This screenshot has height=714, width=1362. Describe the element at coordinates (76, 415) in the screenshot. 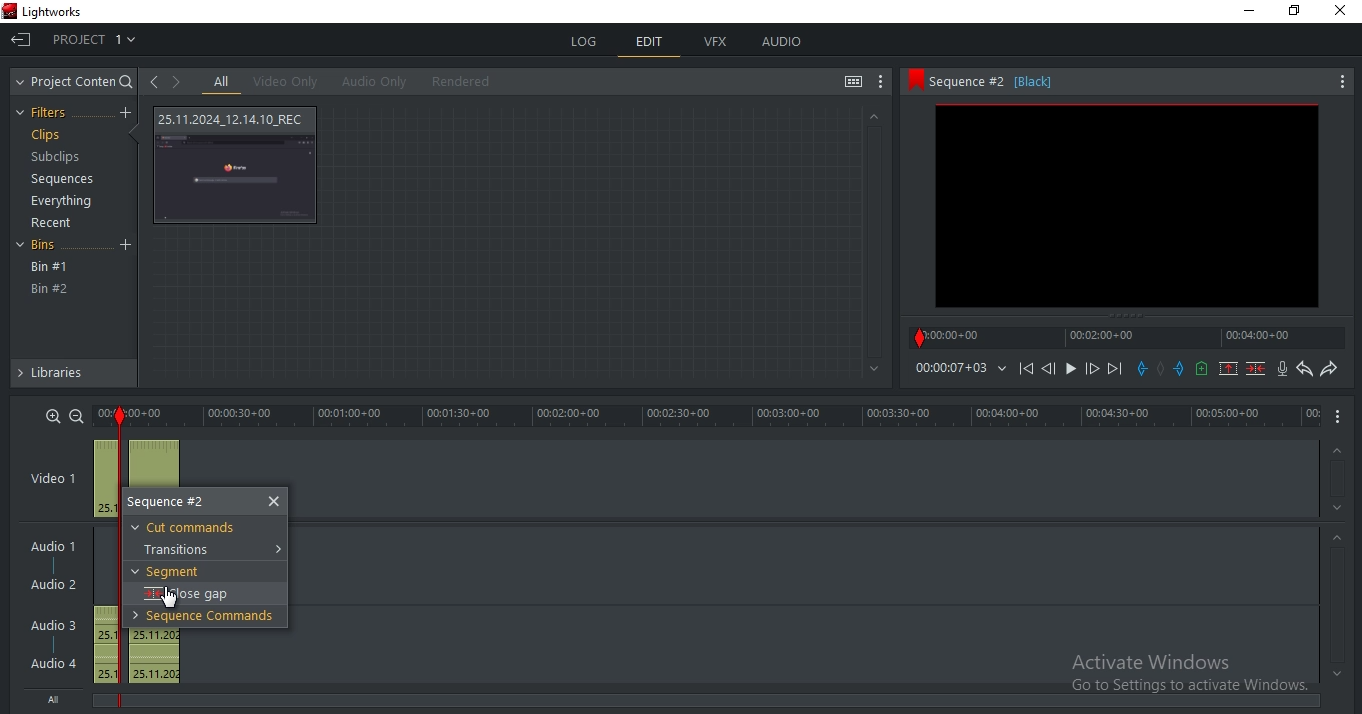

I see `zoom out` at that location.